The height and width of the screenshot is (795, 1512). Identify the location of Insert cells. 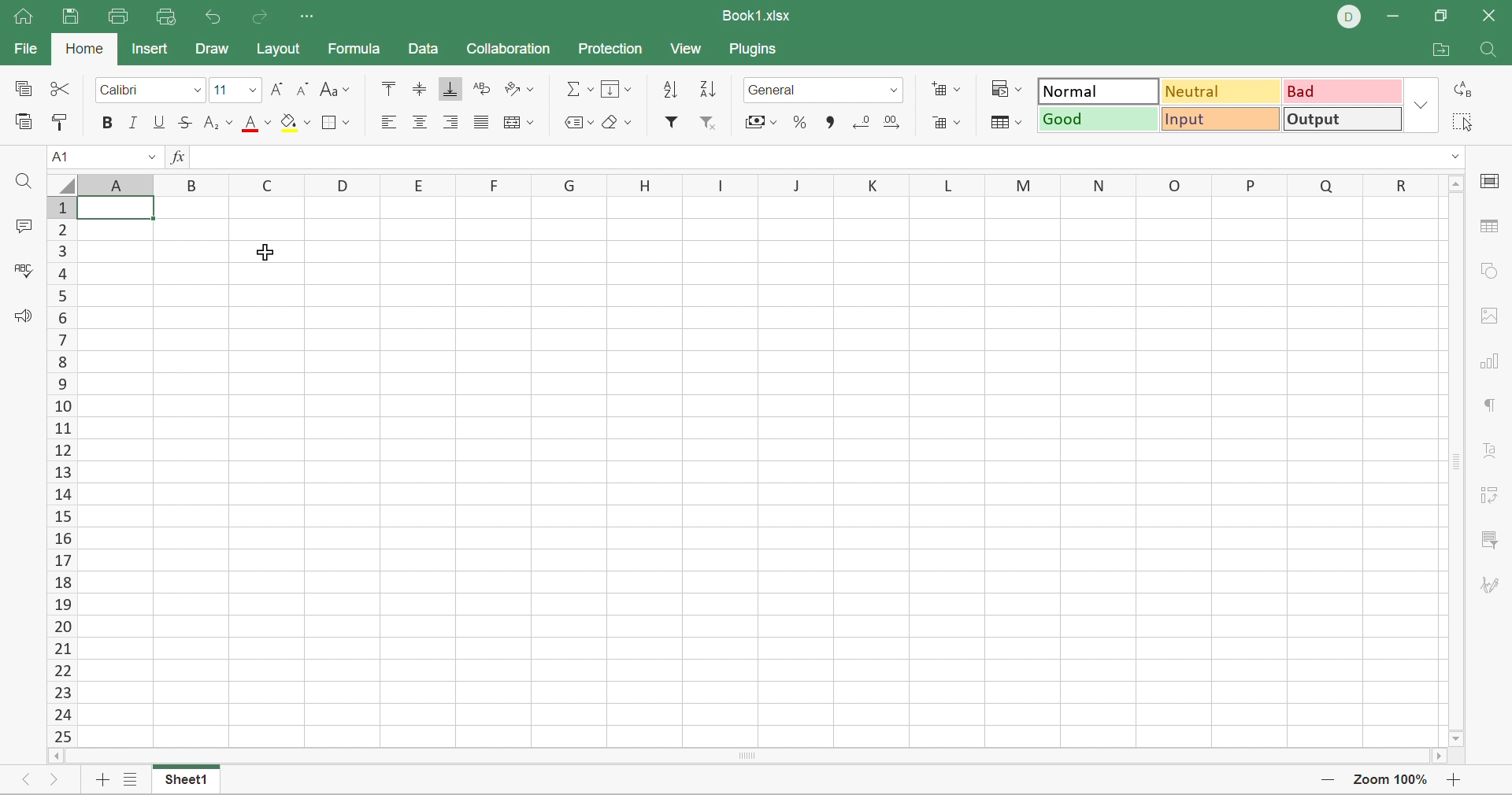
(947, 89).